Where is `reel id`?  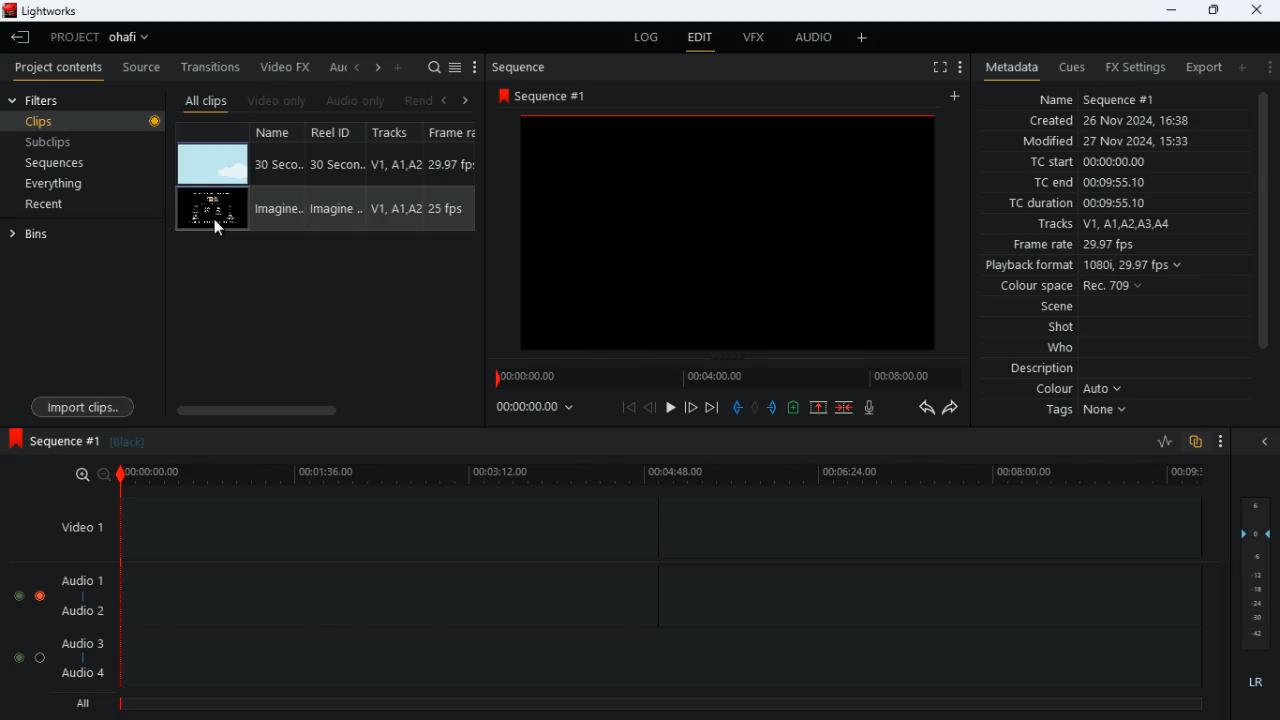
reel id is located at coordinates (334, 135).